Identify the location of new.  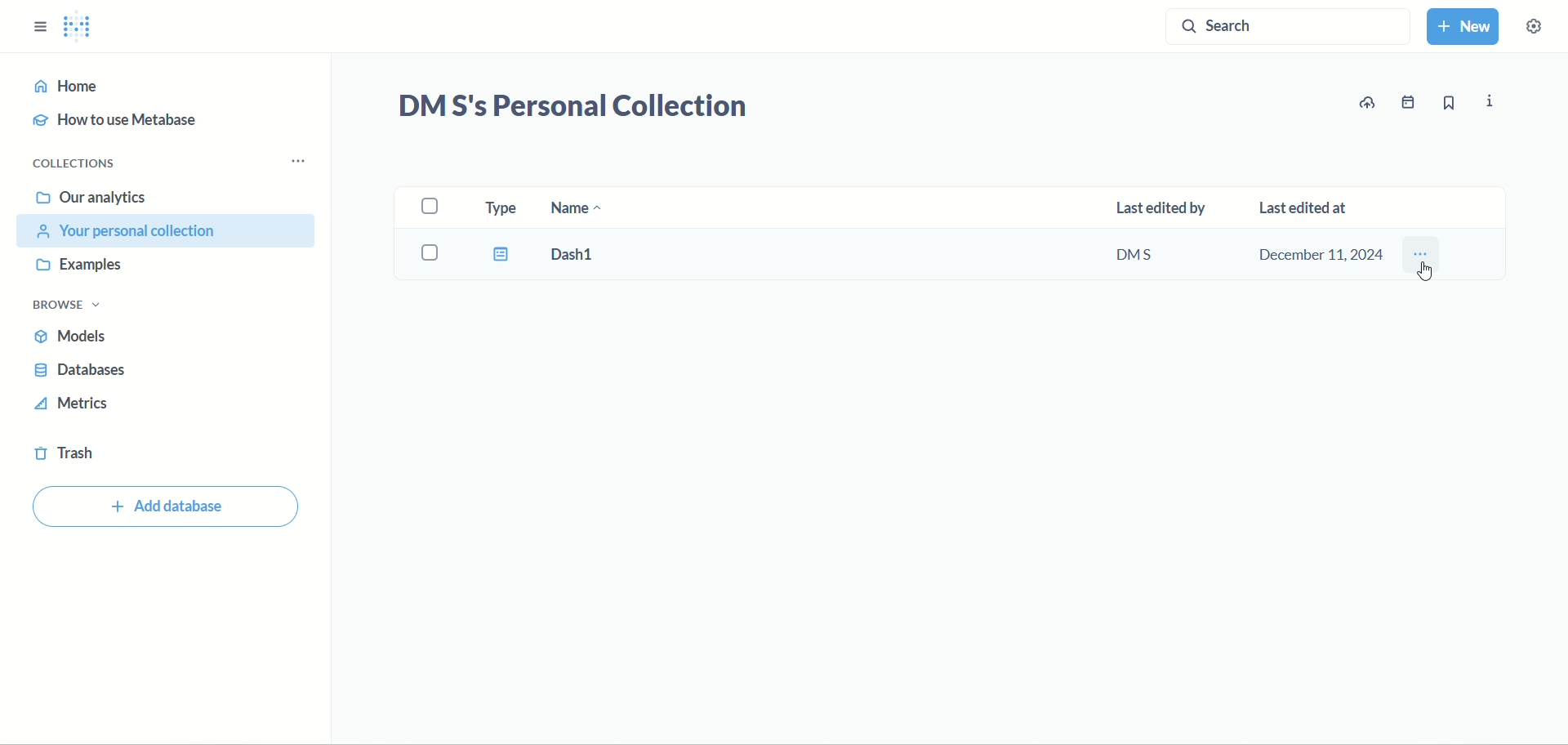
(1466, 29).